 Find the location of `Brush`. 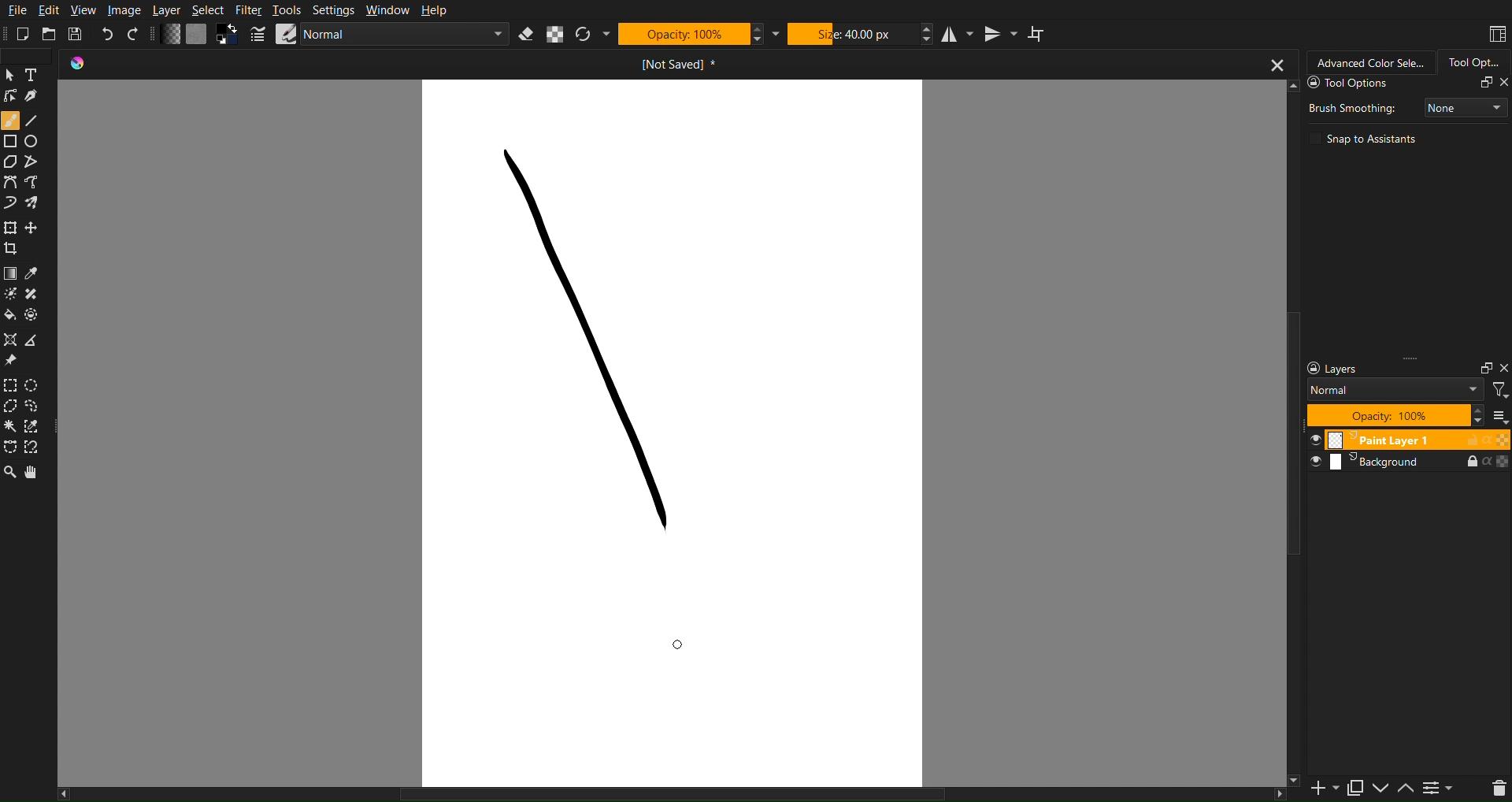

Brush is located at coordinates (9, 291).